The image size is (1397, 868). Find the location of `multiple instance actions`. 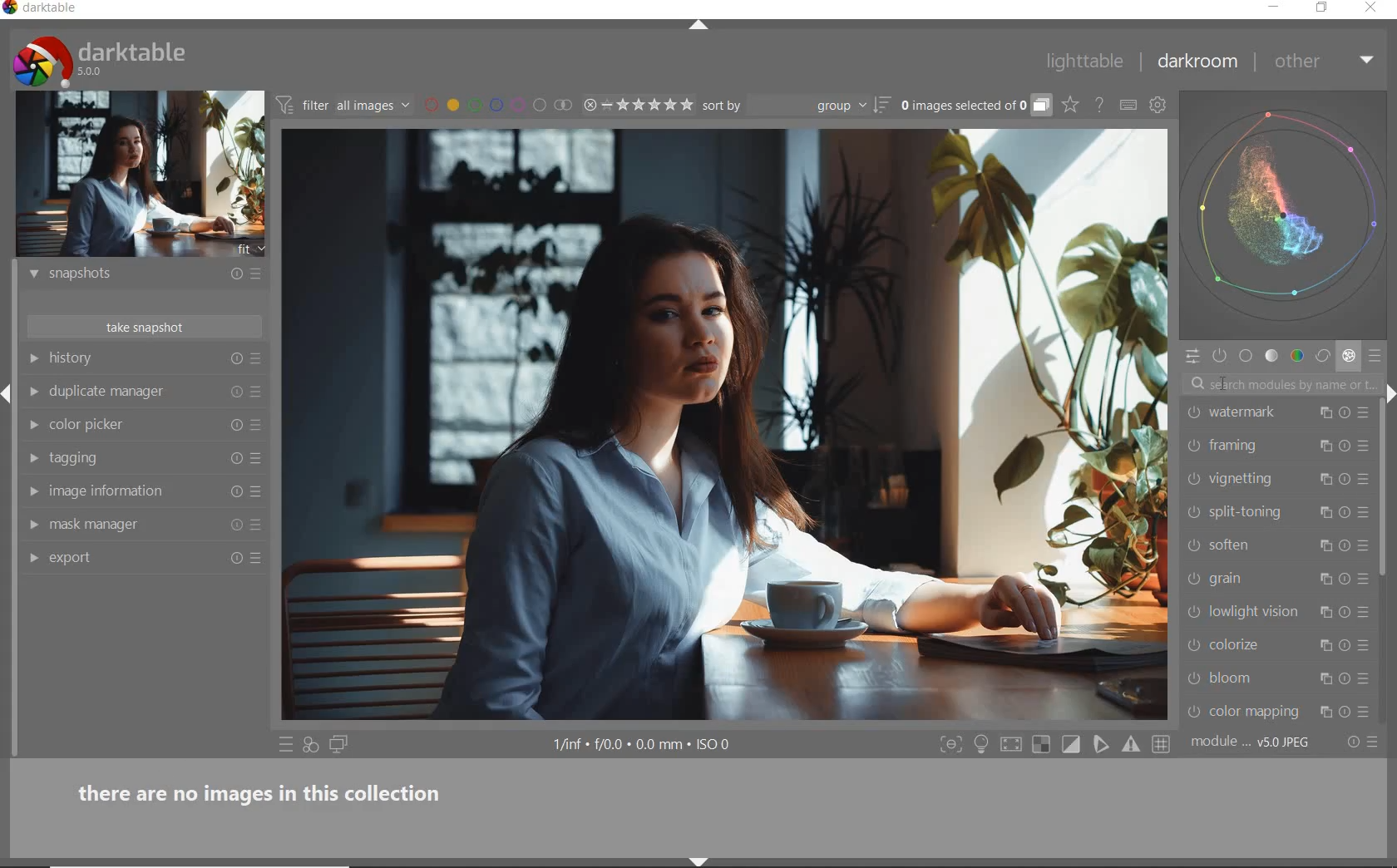

multiple instance actions is located at coordinates (1321, 648).